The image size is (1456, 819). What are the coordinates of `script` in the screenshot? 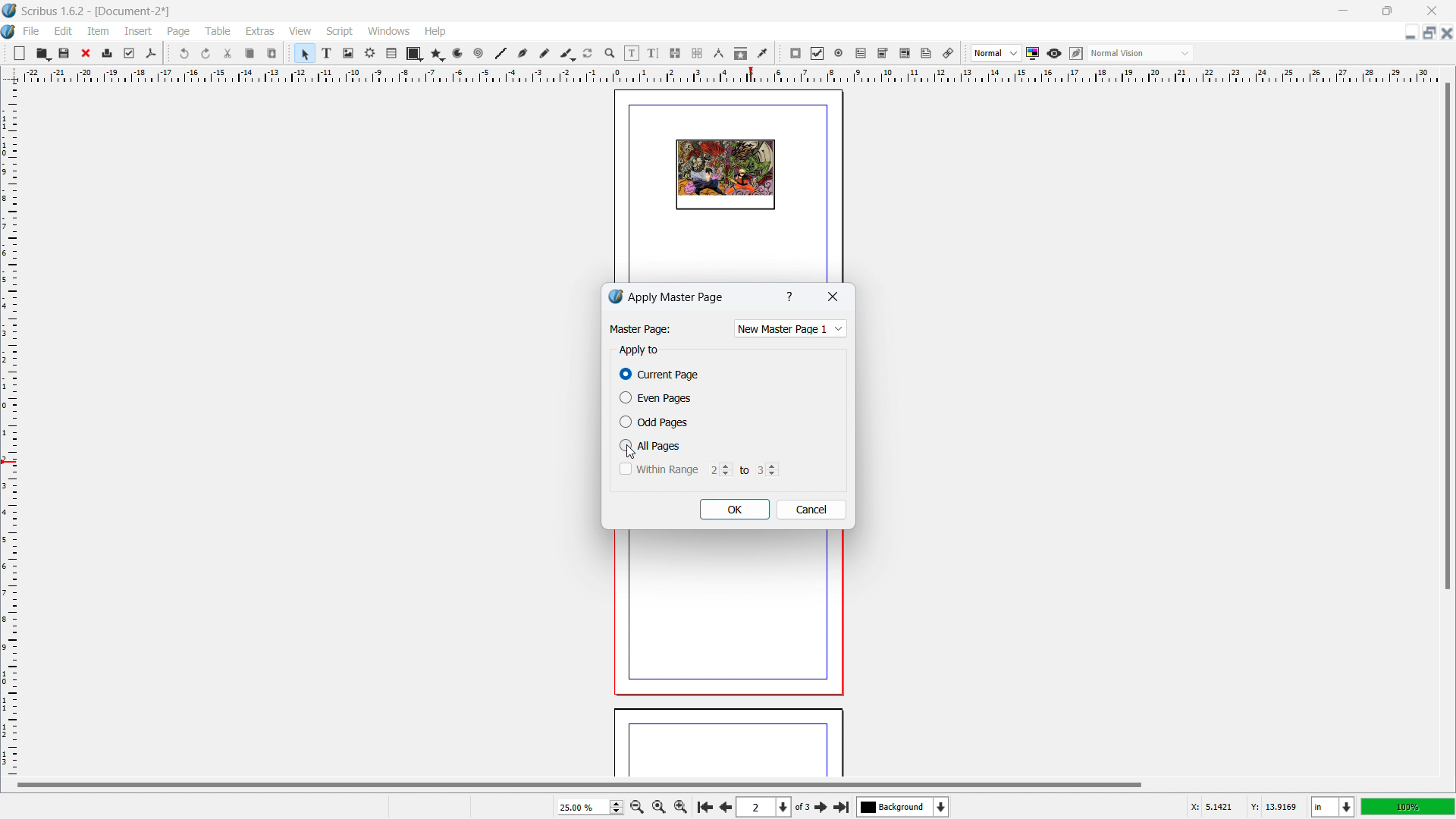 It's located at (340, 32).